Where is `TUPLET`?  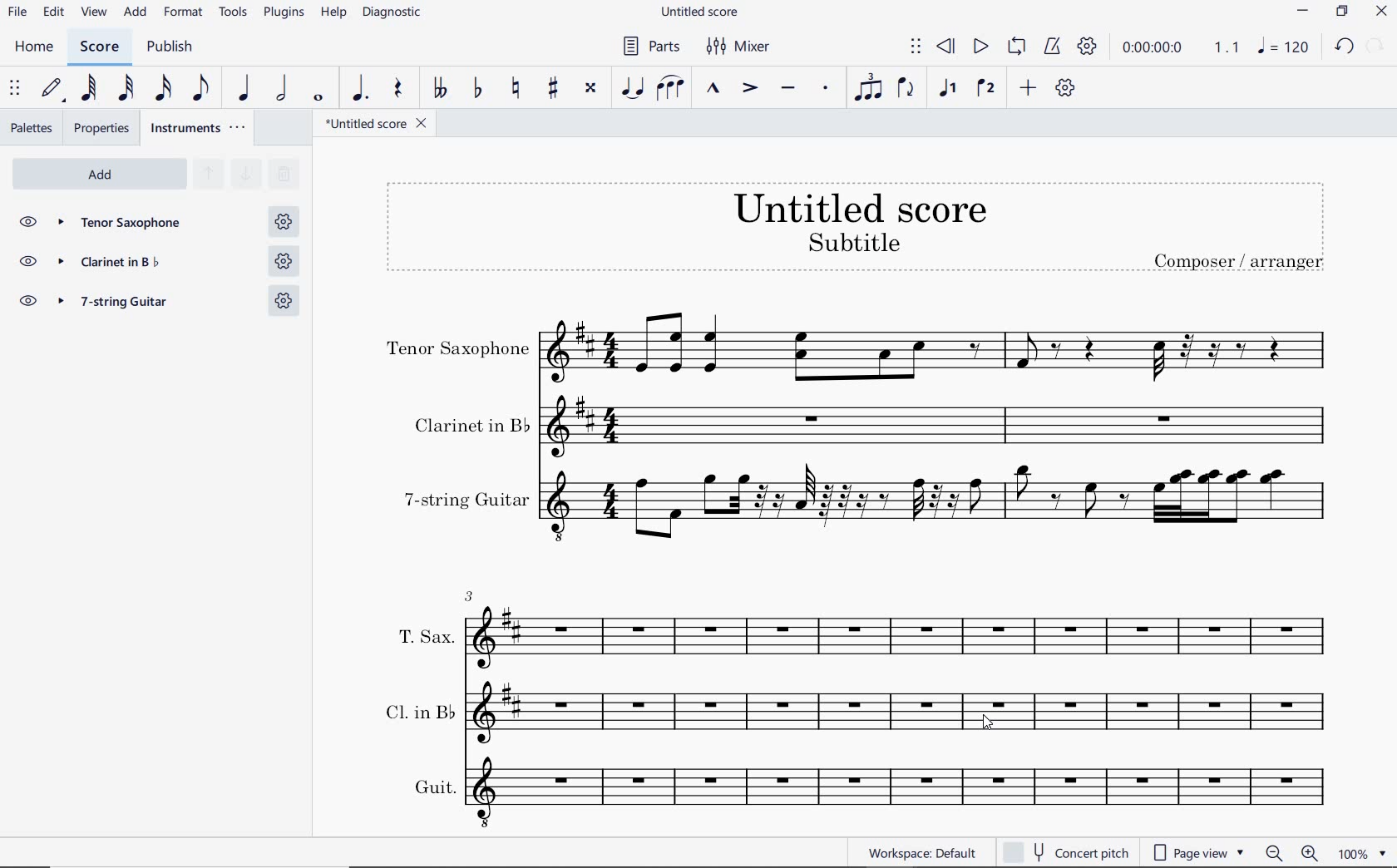 TUPLET is located at coordinates (868, 87).